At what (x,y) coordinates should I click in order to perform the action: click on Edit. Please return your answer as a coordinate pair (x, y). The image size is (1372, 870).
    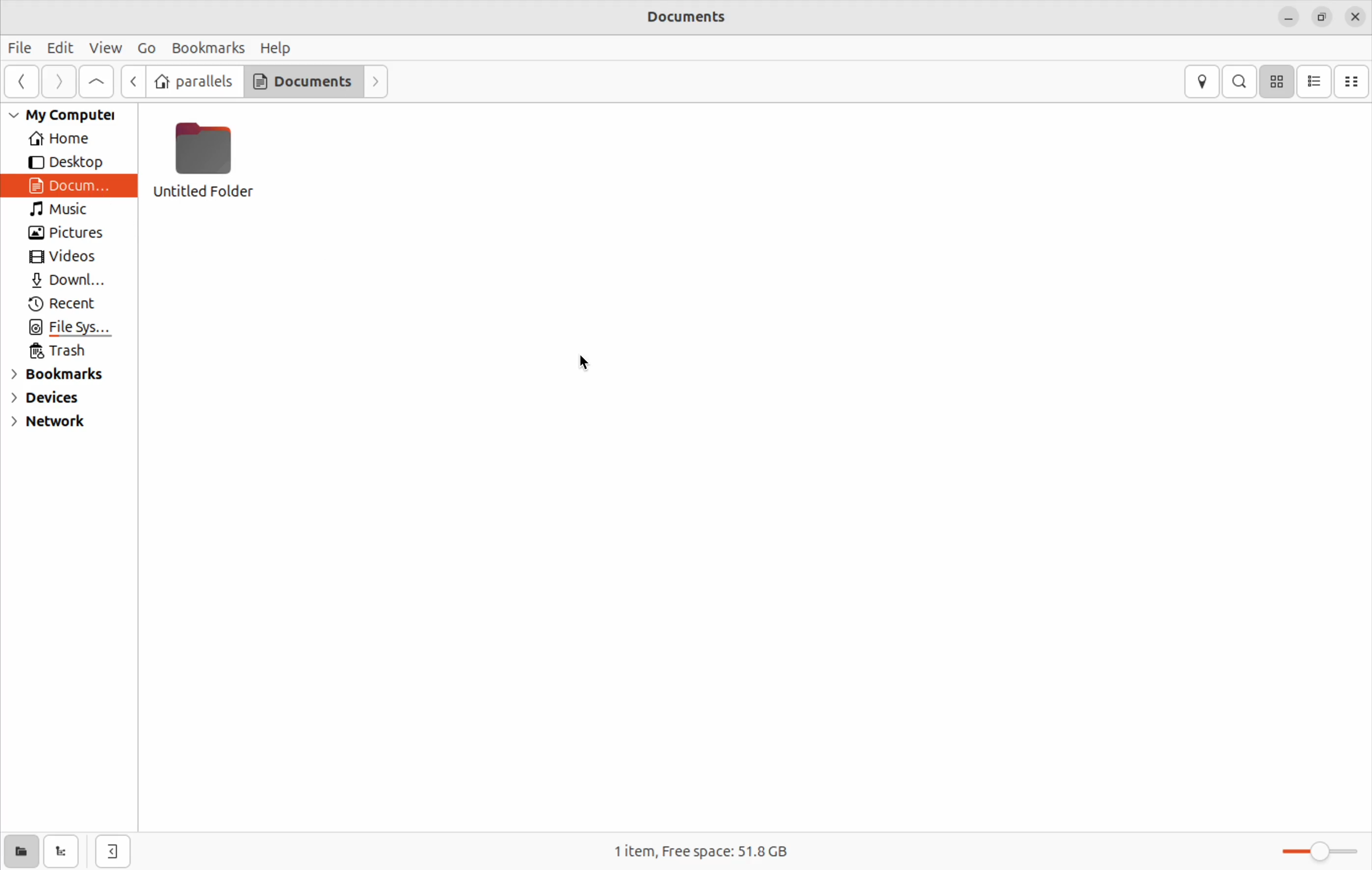
    Looking at the image, I should click on (60, 46).